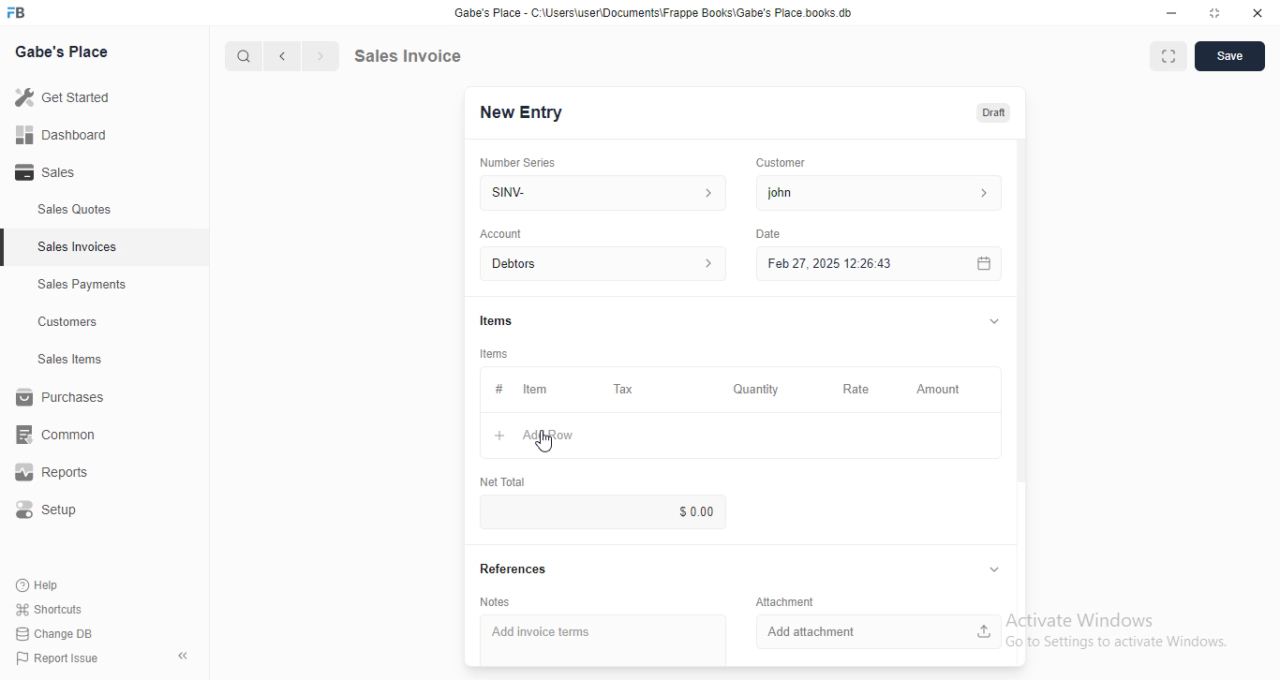 The height and width of the screenshot is (680, 1280). What do you see at coordinates (48, 171) in the screenshot?
I see `Sales` at bounding box center [48, 171].